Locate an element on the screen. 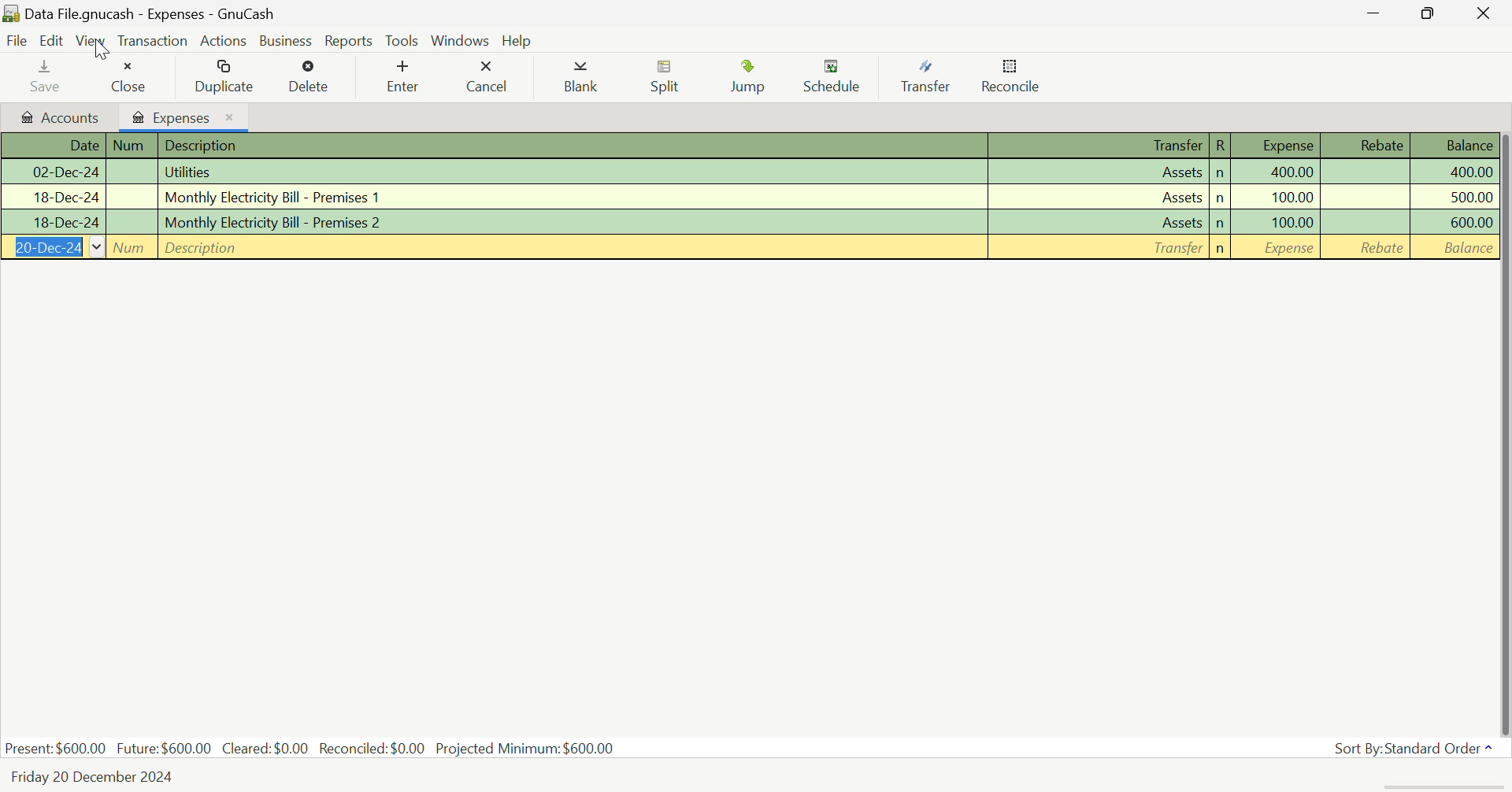 The width and height of the screenshot is (1512, 792). Jump is located at coordinates (747, 79).